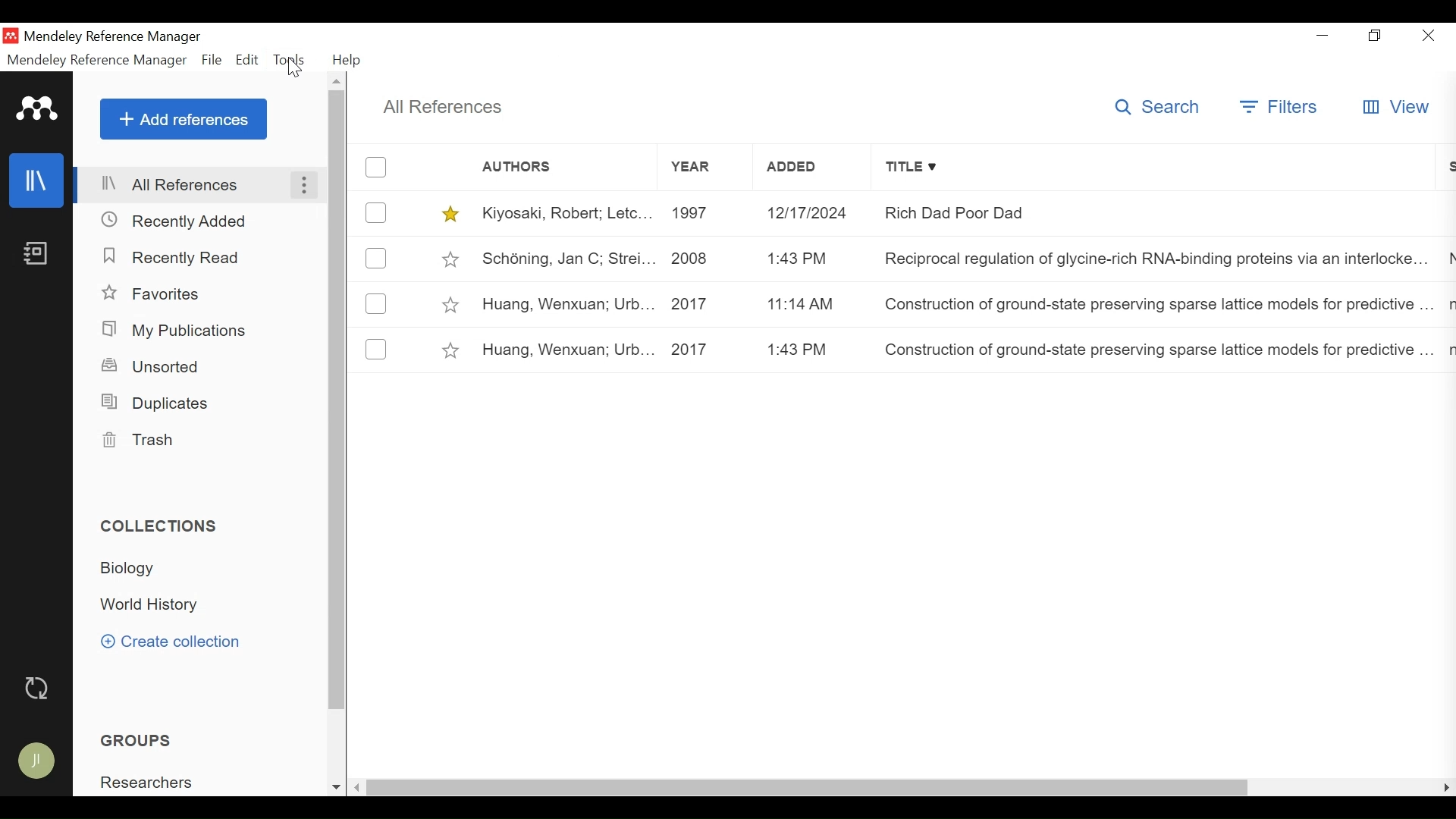  What do you see at coordinates (152, 294) in the screenshot?
I see `Favorites` at bounding box center [152, 294].